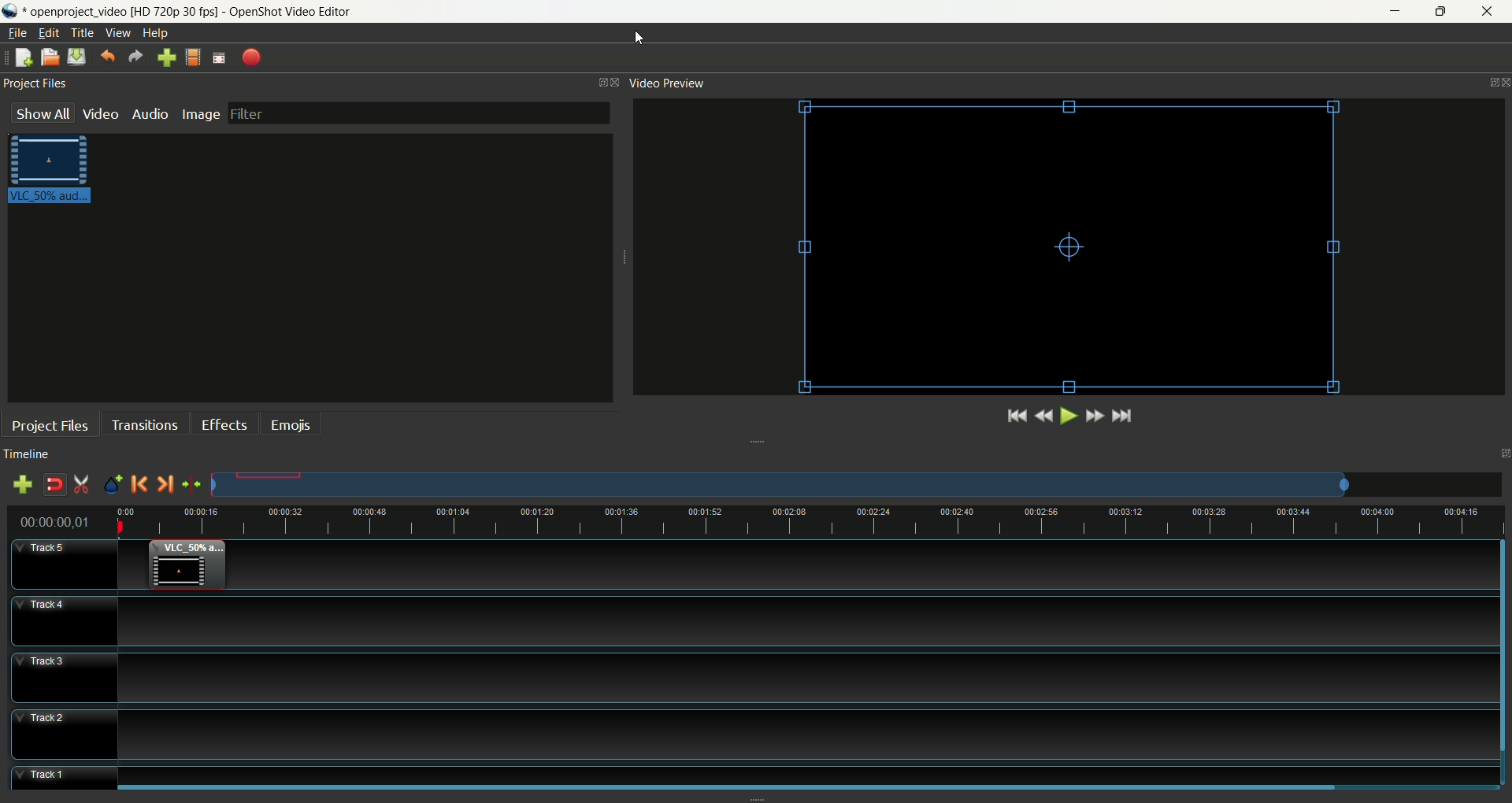 The width and height of the screenshot is (1512, 803). Describe the element at coordinates (22, 57) in the screenshot. I see `new project` at that location.